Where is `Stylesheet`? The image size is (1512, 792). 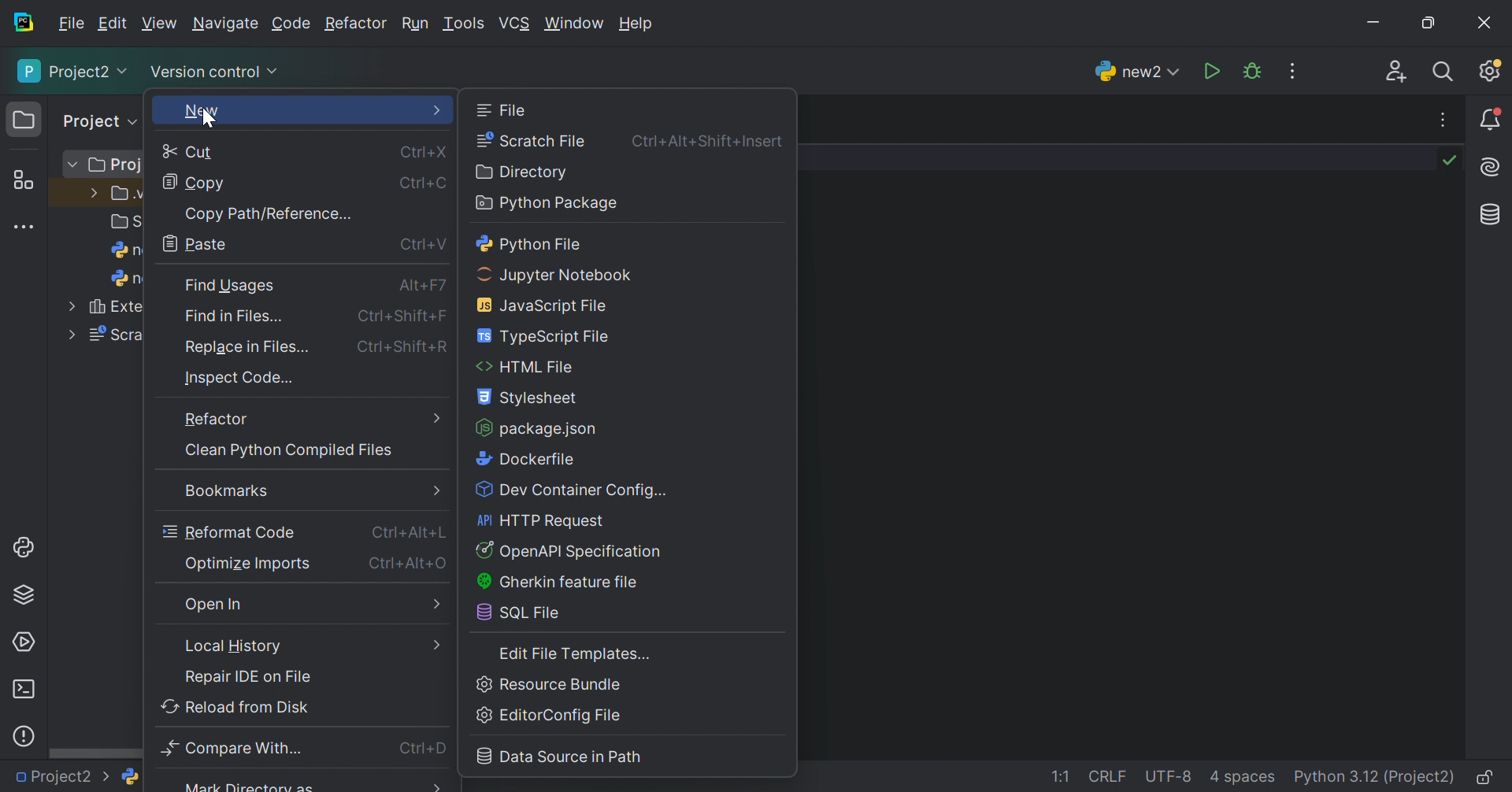 Stylesheet is located at coordinates (529, 398).